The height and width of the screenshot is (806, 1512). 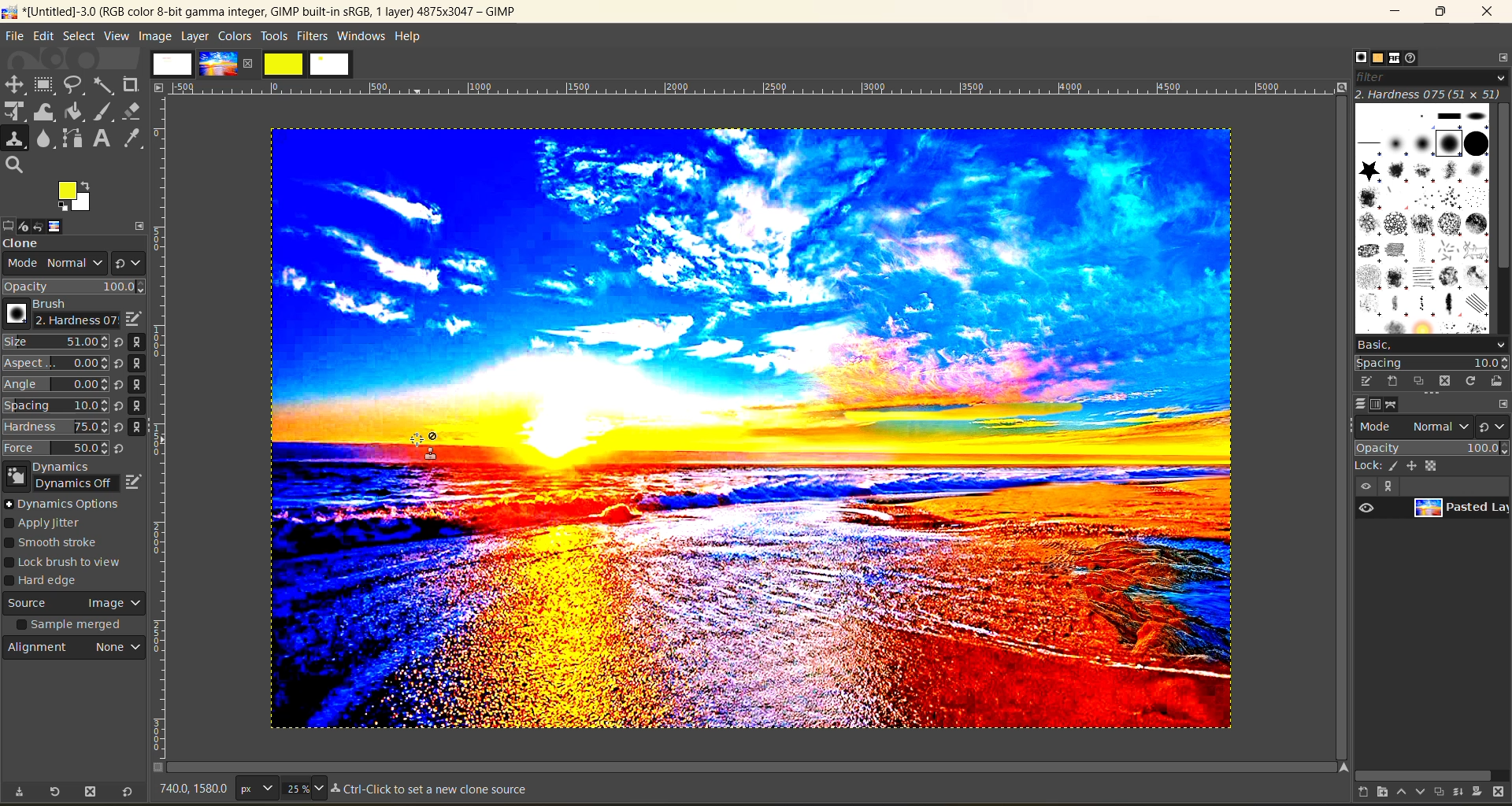 I want to click on fonts, so click(x=1397, y=59).